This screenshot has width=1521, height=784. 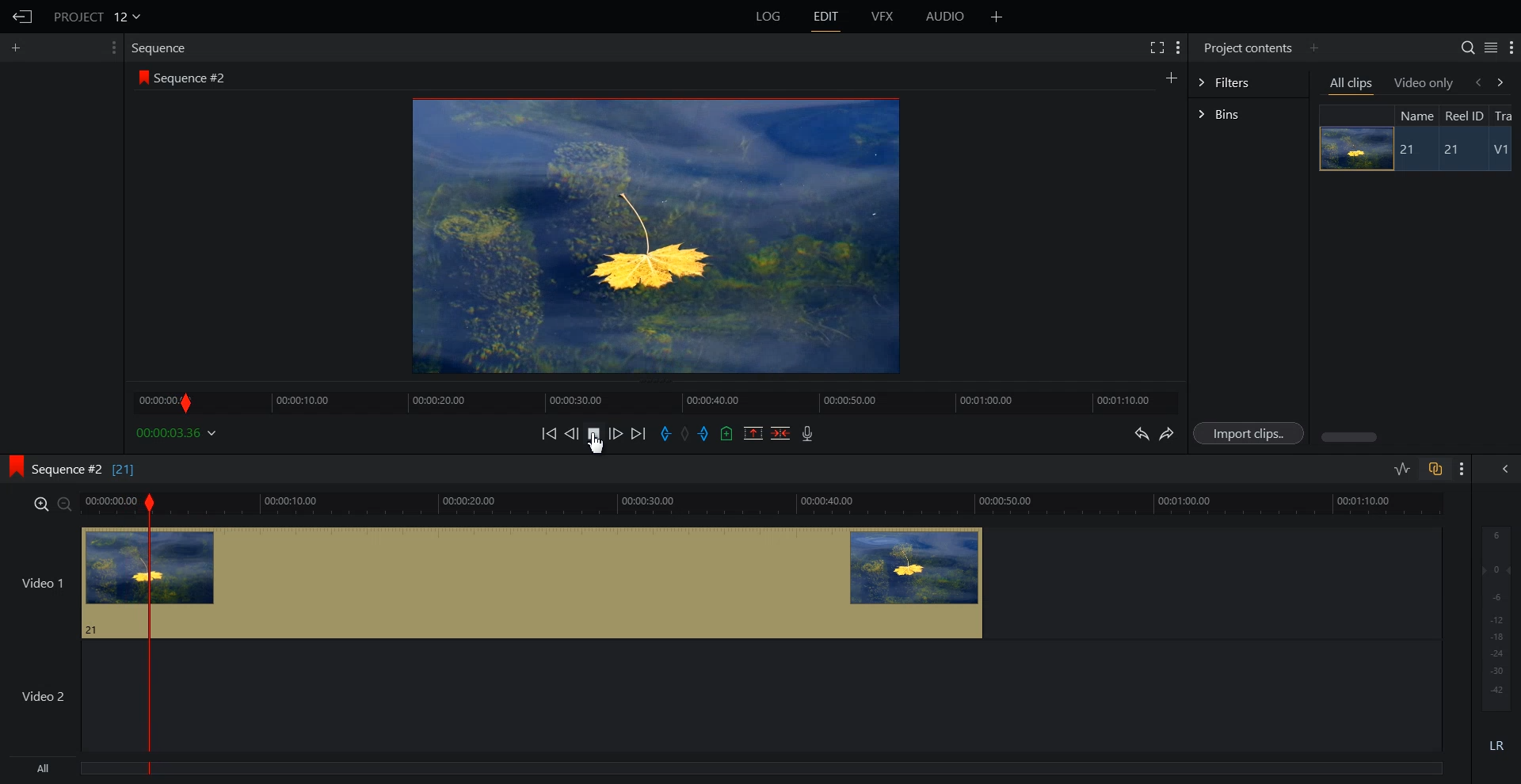 I want to click on 21, so click(x=1409, y=150).